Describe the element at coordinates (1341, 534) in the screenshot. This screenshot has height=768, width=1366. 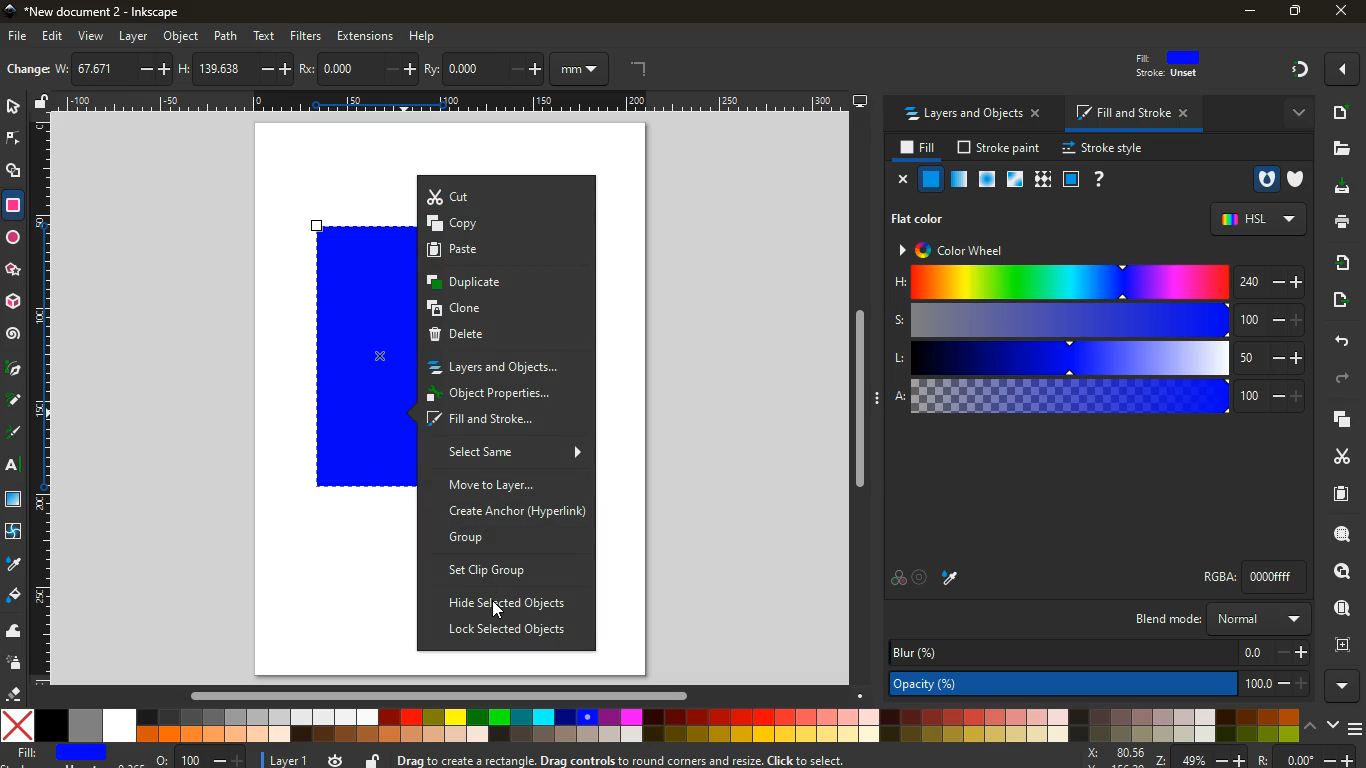
I see `search` at that location.